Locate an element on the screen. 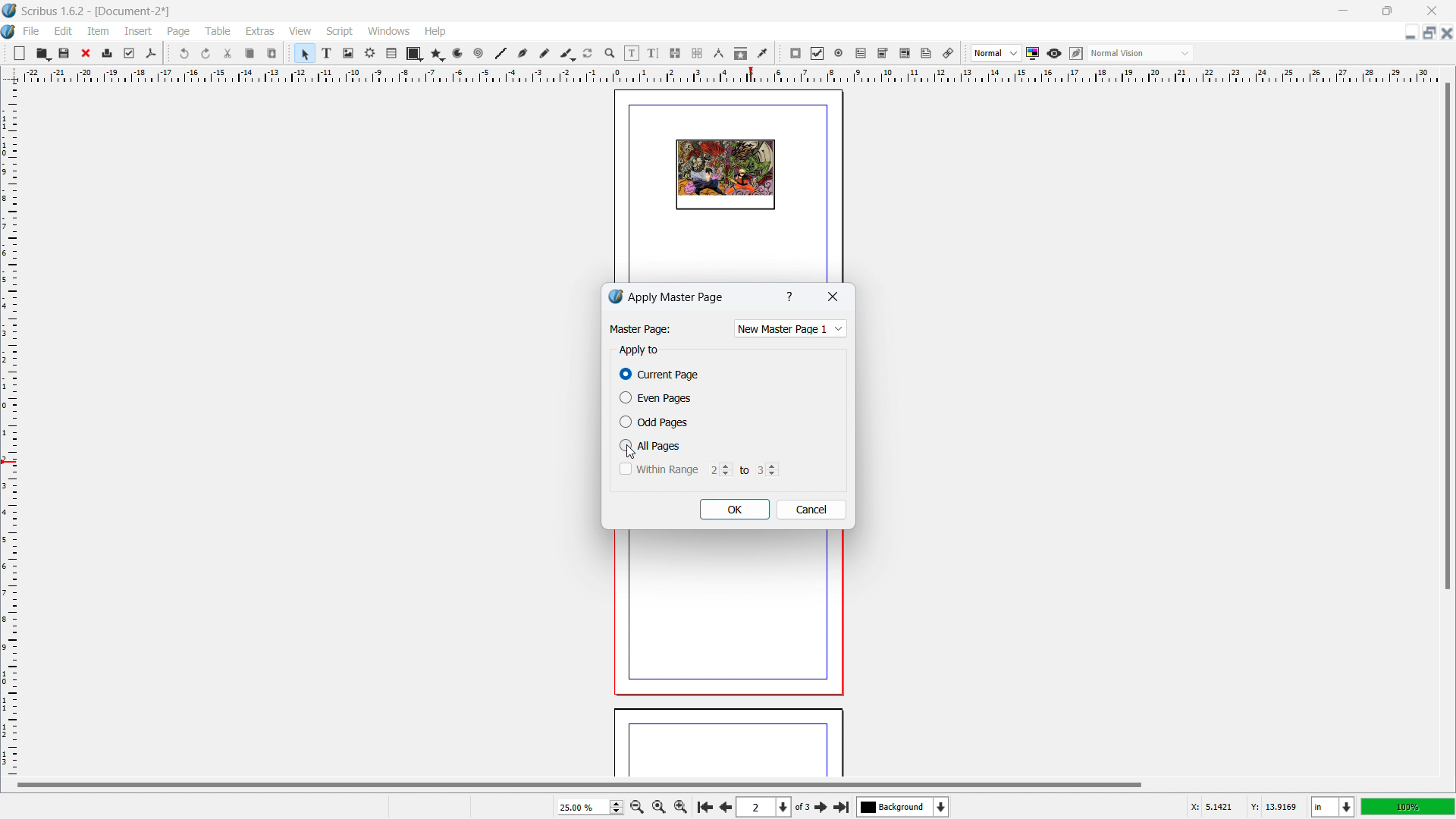  spirals is located at coordinates (479, 54).